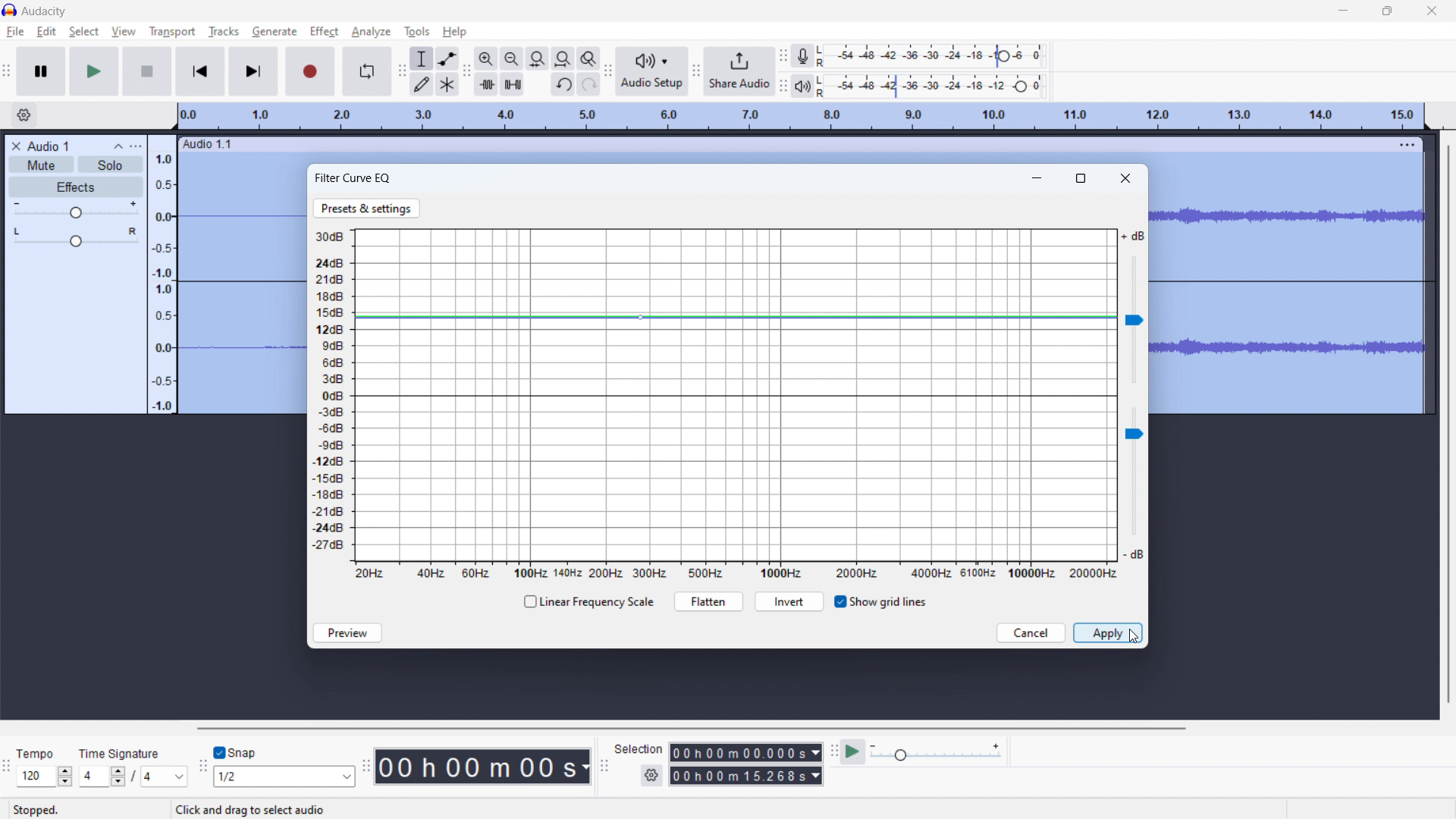 The height and width of the screenshot is (819, 1456). What do you see at coordinates (736, 572) in the screenshot?
I see `frequency scale` at bounding box center [736, 572].